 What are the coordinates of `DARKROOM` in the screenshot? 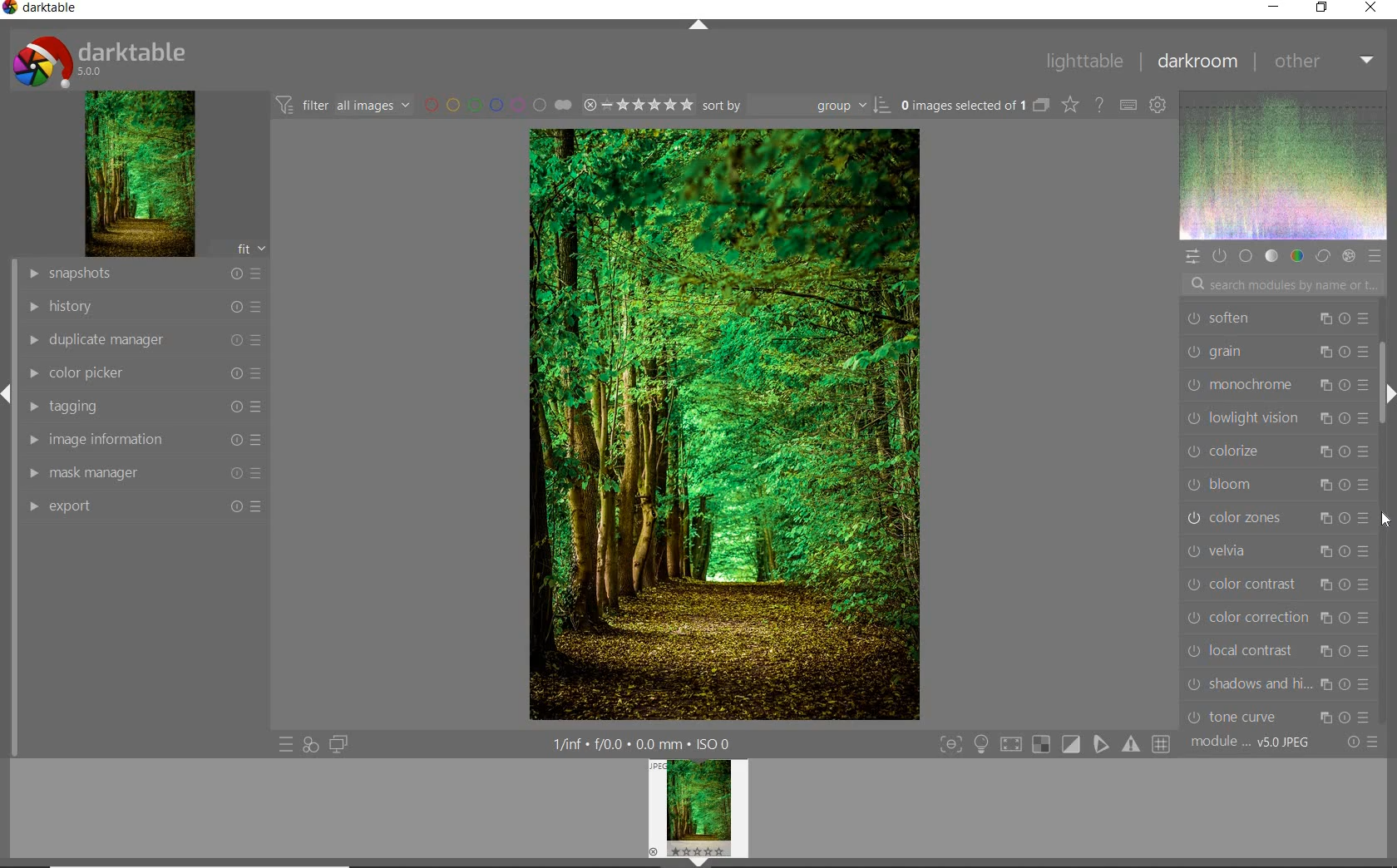 It's located at (1198, 63).